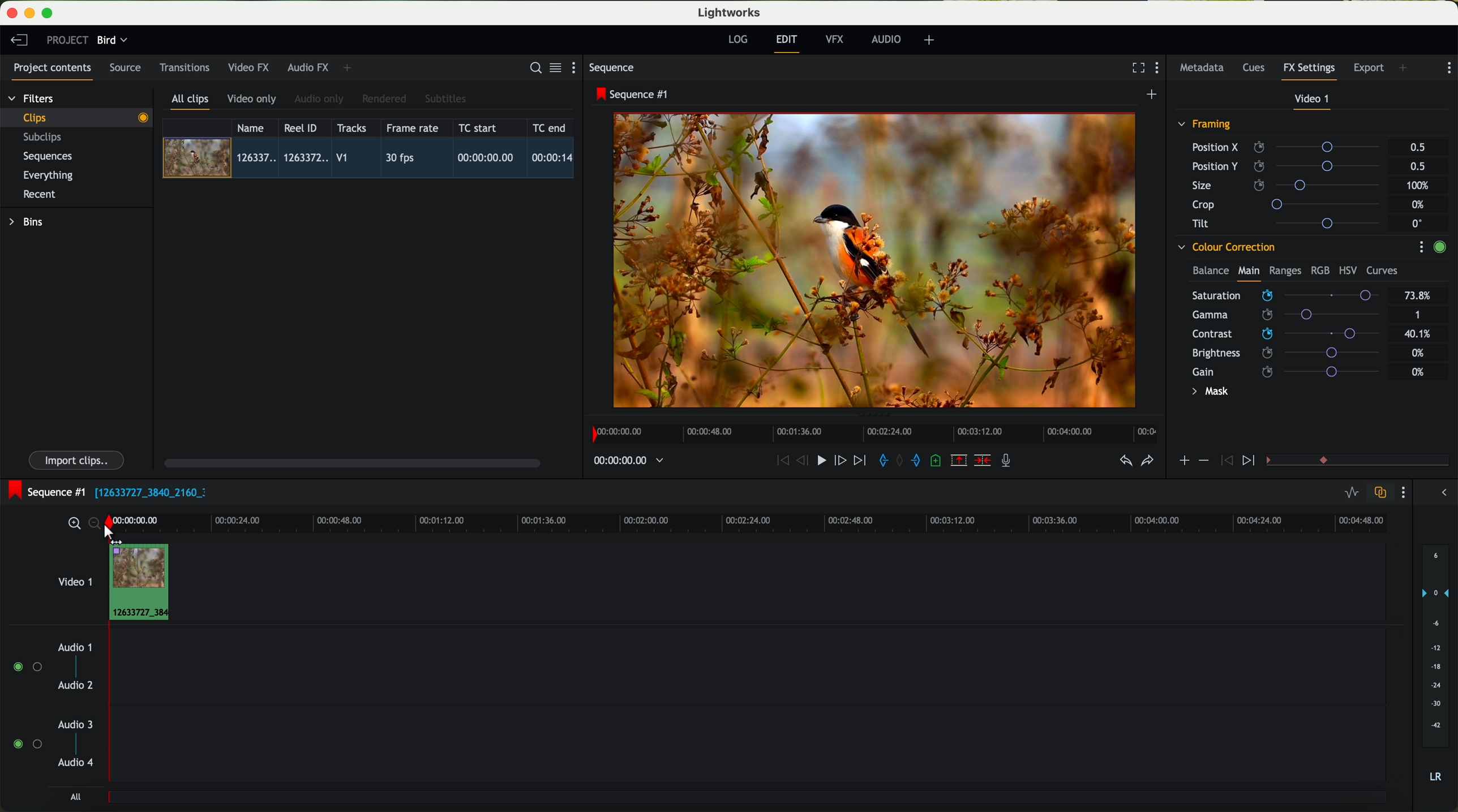  I want to click on fx settings, so click(1309, 71).